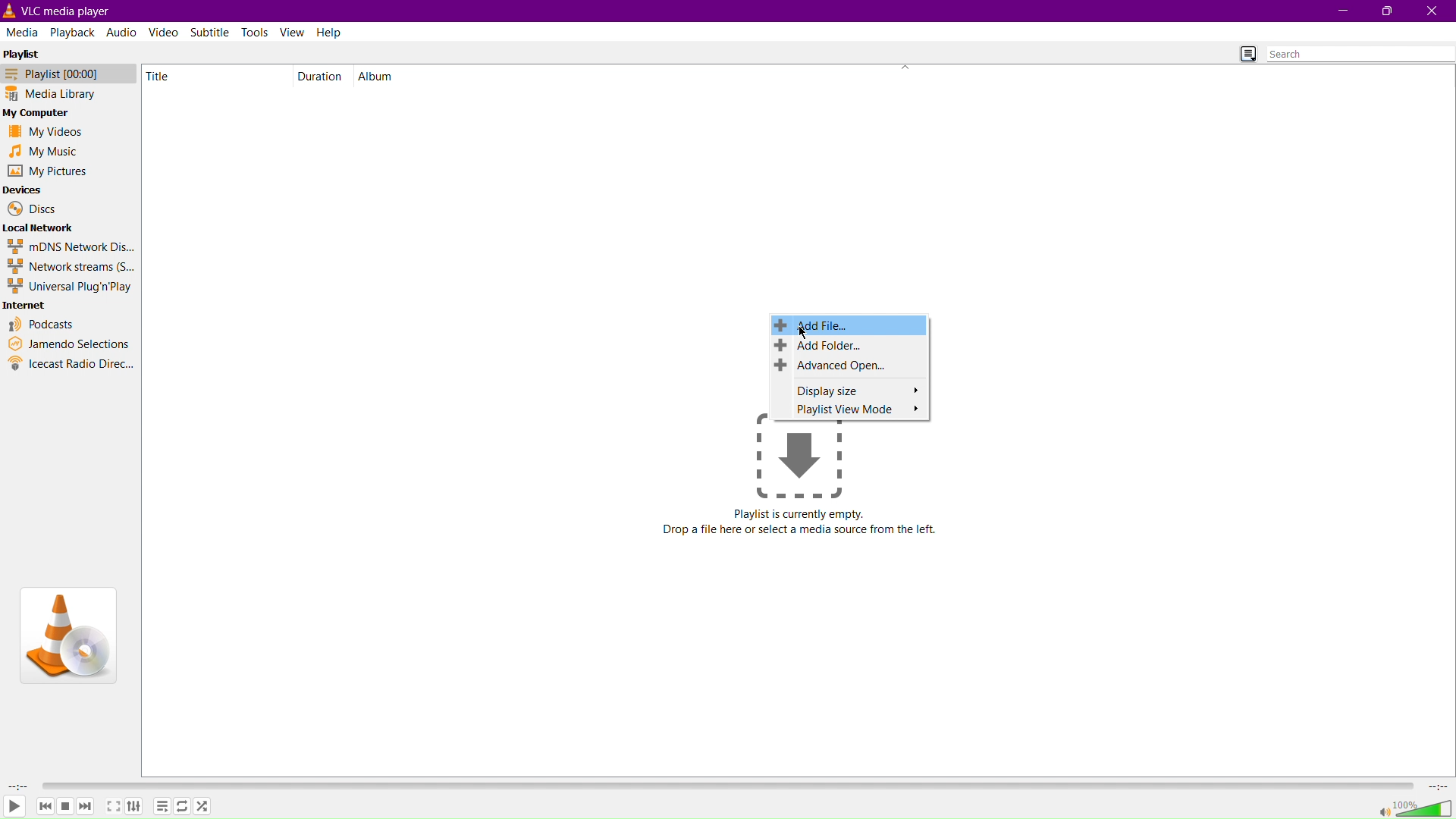 The width and height of the screenshot is (1456, 819). What do you see at coordinates (1415, 808) in the screenshot?
I see `Volume` at bounding box center [1415, 808].